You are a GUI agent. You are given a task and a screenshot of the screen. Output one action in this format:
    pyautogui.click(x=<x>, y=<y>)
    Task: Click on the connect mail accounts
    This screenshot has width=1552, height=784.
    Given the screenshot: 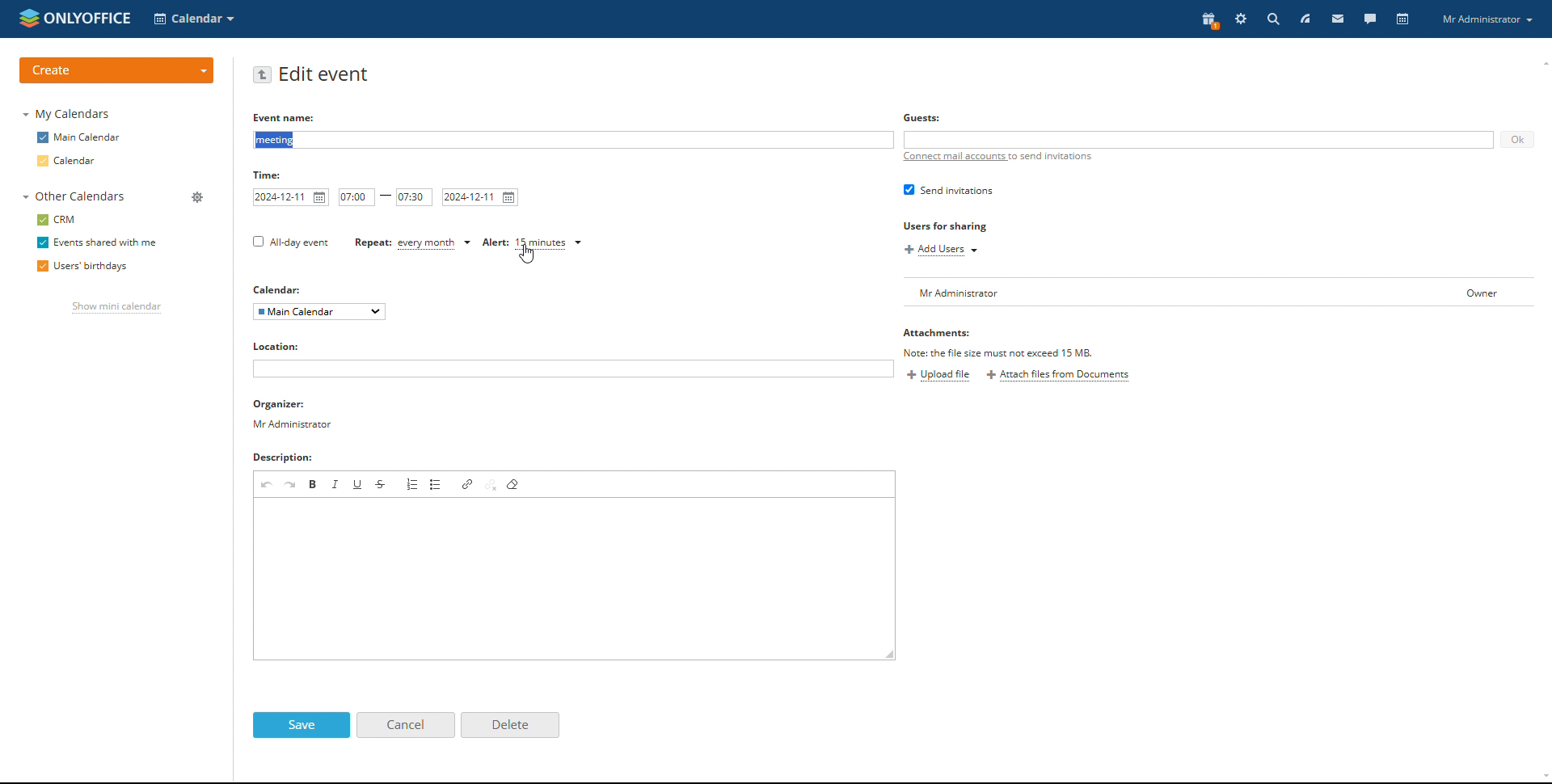 What is the action you would take?
    pyautogui.click(x=997, y=162)
    